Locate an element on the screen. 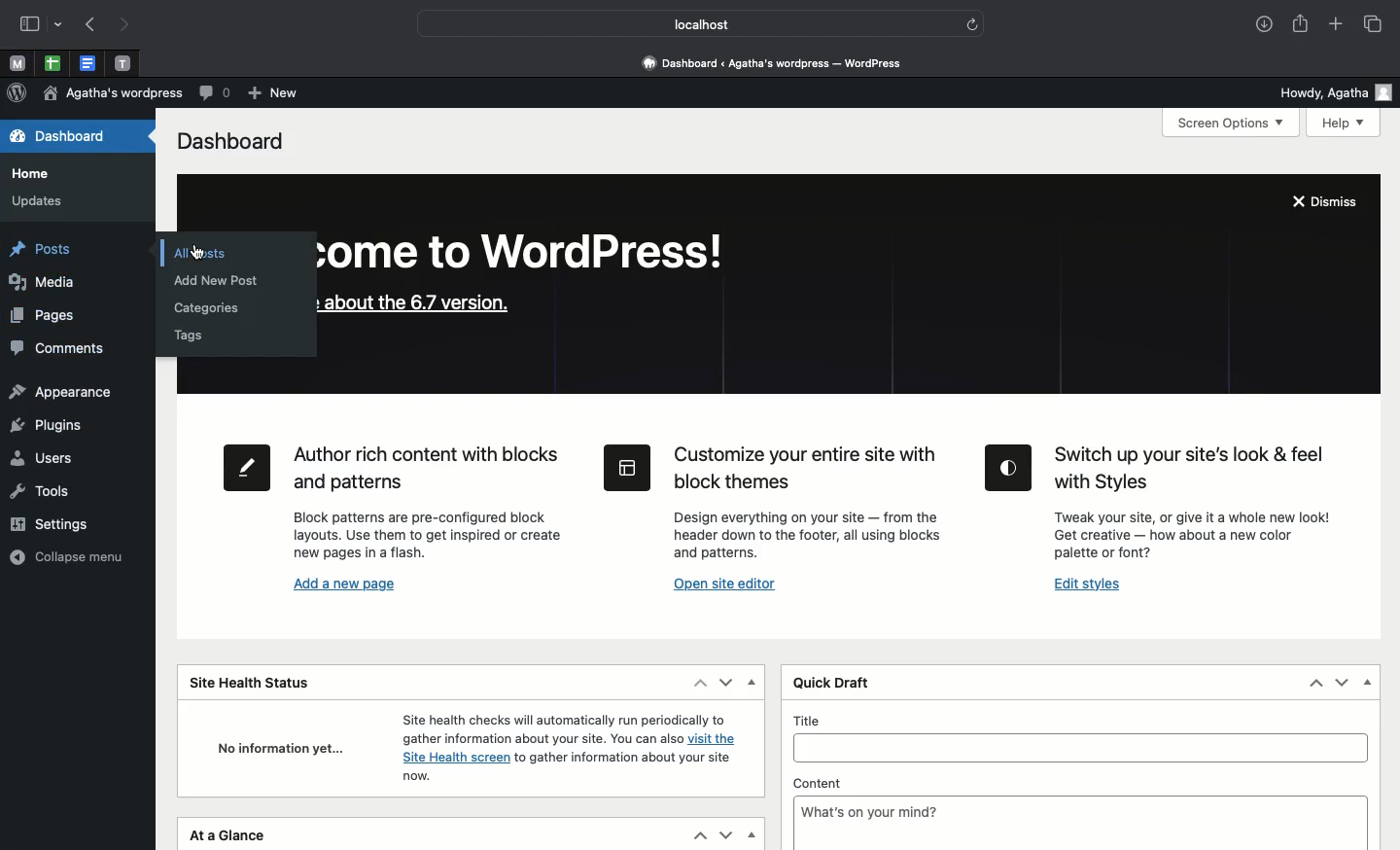 This screenshot has width=1400, height=850. Settings is located at coordinates (60, 524).